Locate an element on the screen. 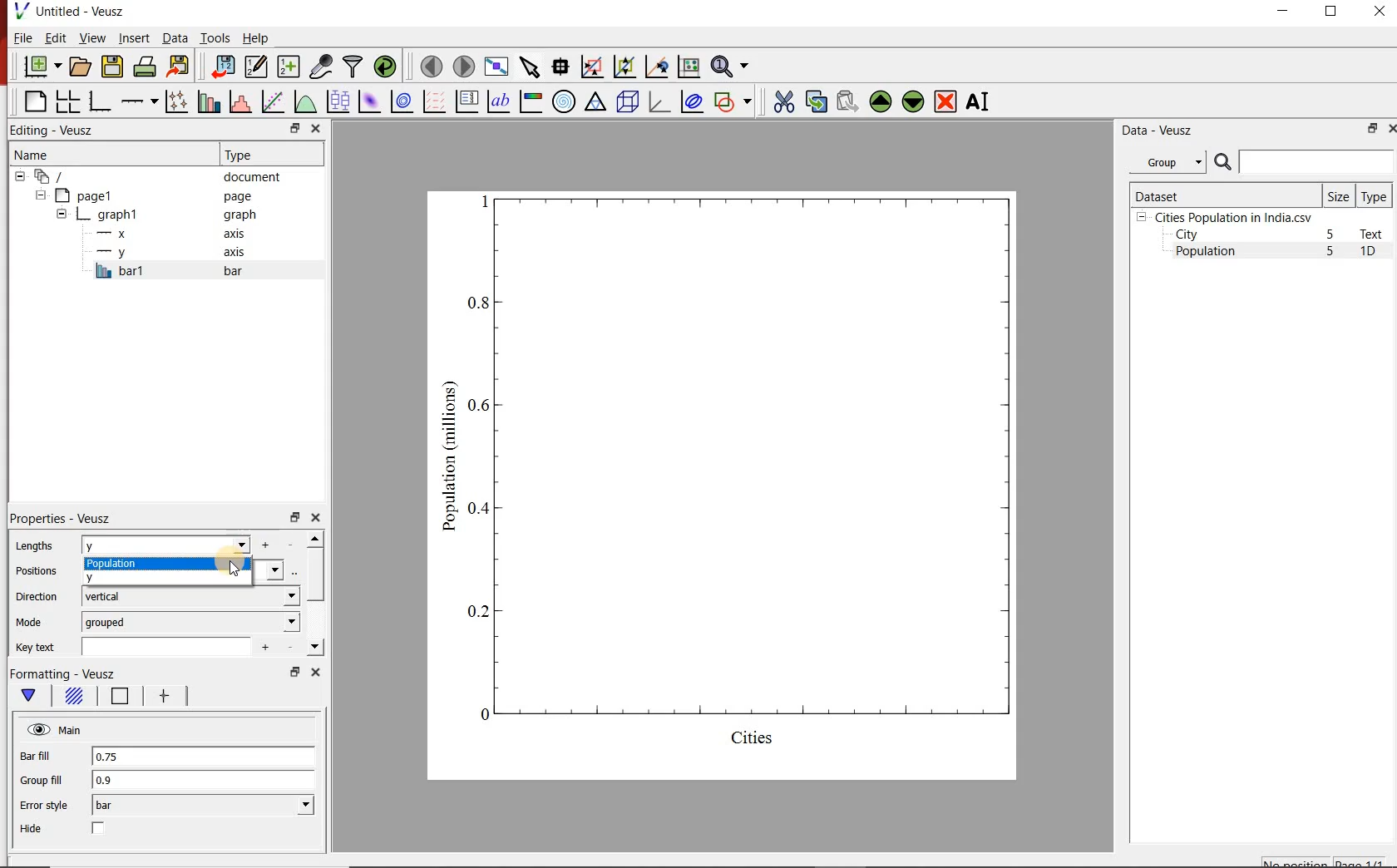  5 is located at coordinates (1331, 252).